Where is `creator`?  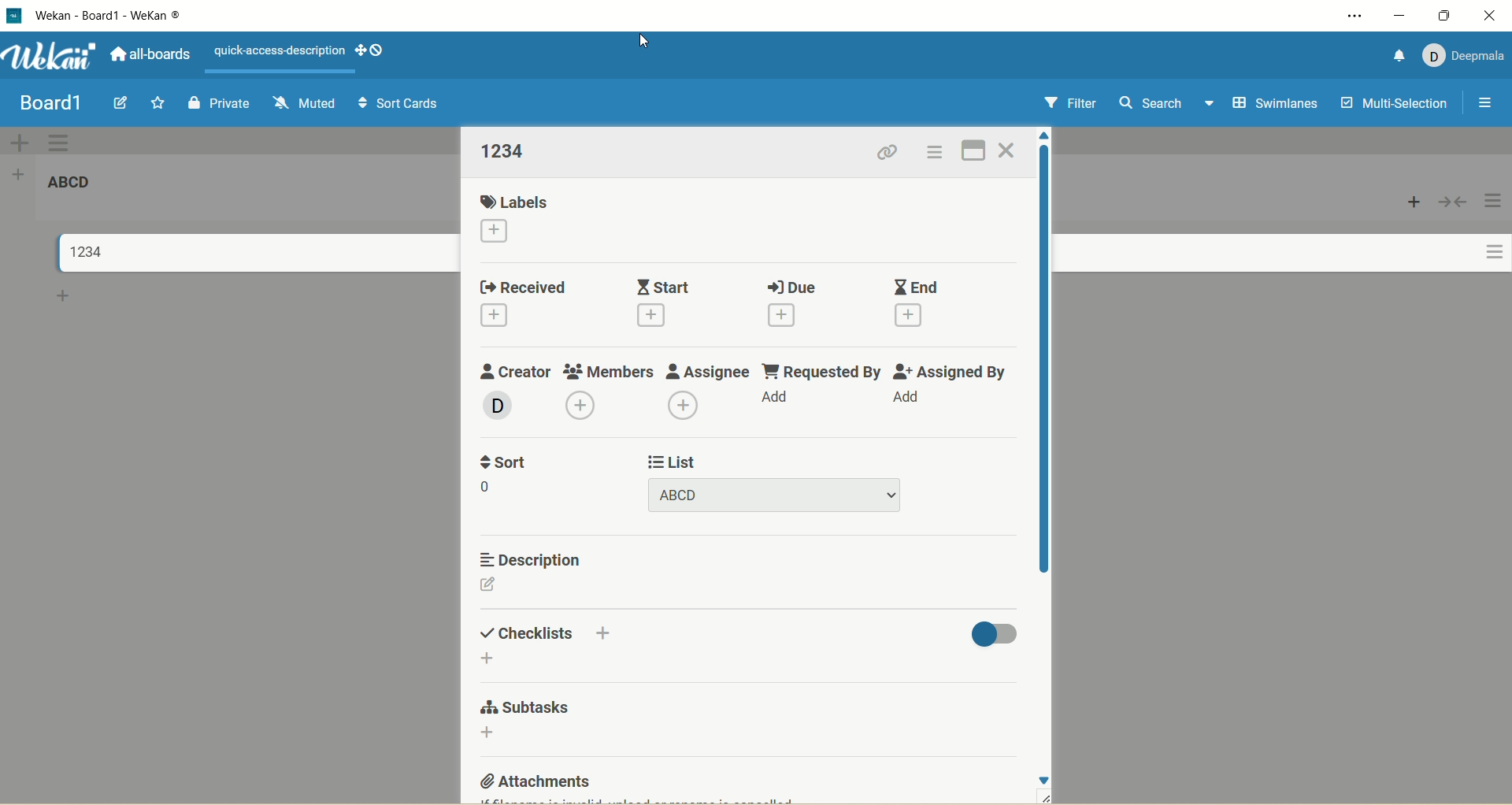
creator is located at coordinates (509, 371).